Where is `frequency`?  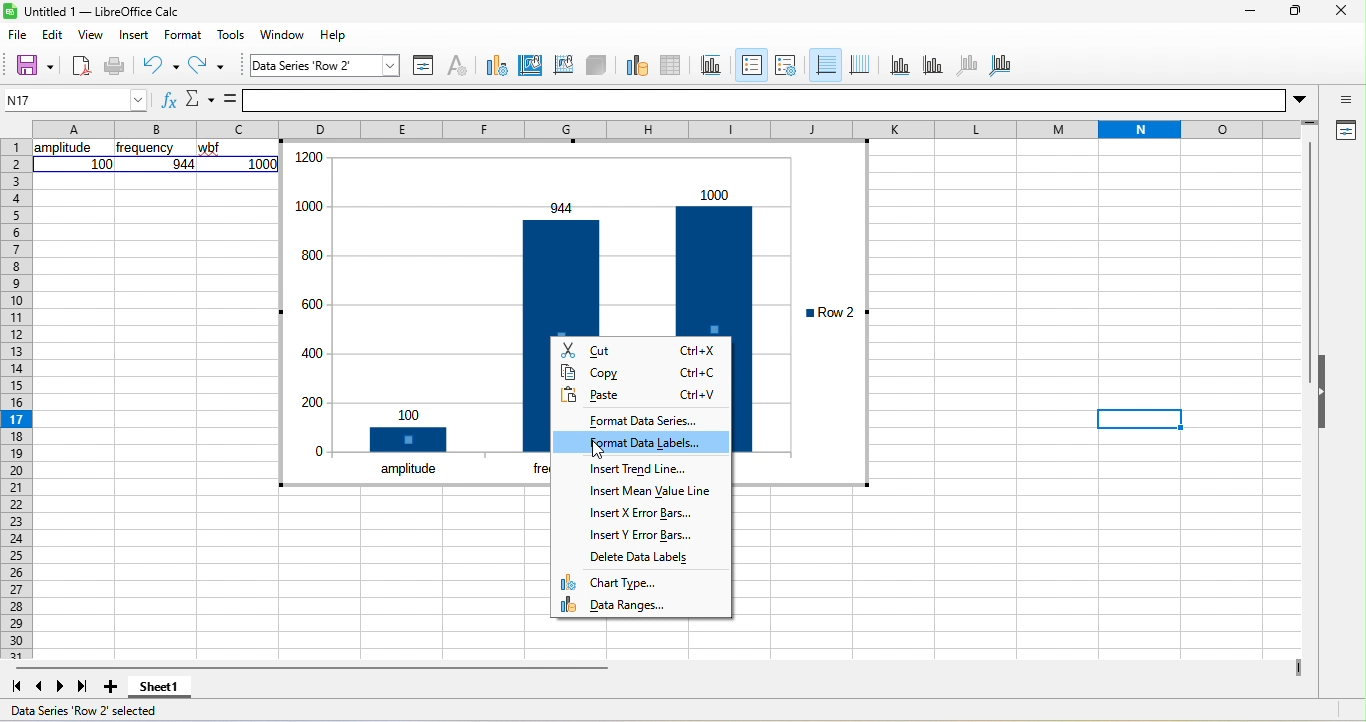
frequency is located at coordinates (146, 149).